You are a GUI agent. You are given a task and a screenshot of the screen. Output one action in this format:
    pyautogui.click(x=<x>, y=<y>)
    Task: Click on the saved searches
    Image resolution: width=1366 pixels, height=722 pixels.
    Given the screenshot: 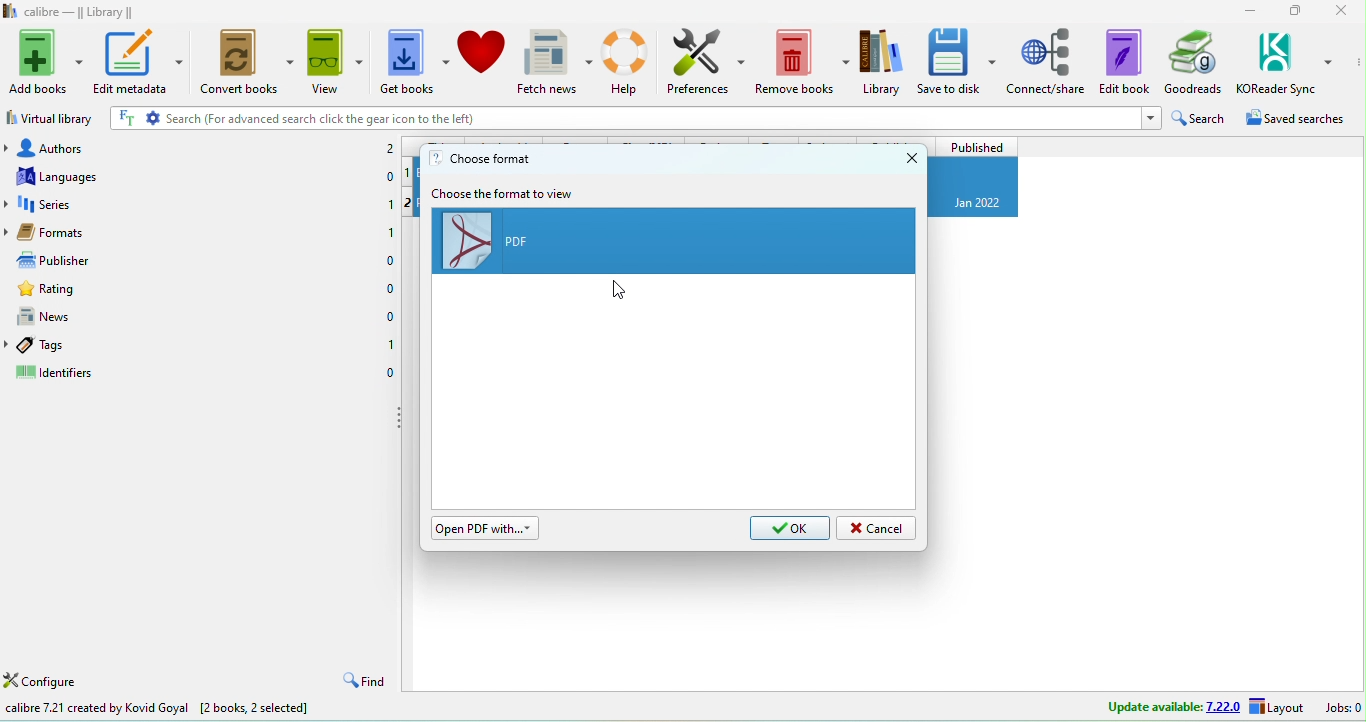 What is the action you would take?
    pyautogui.click(x=1303, y=118)
    